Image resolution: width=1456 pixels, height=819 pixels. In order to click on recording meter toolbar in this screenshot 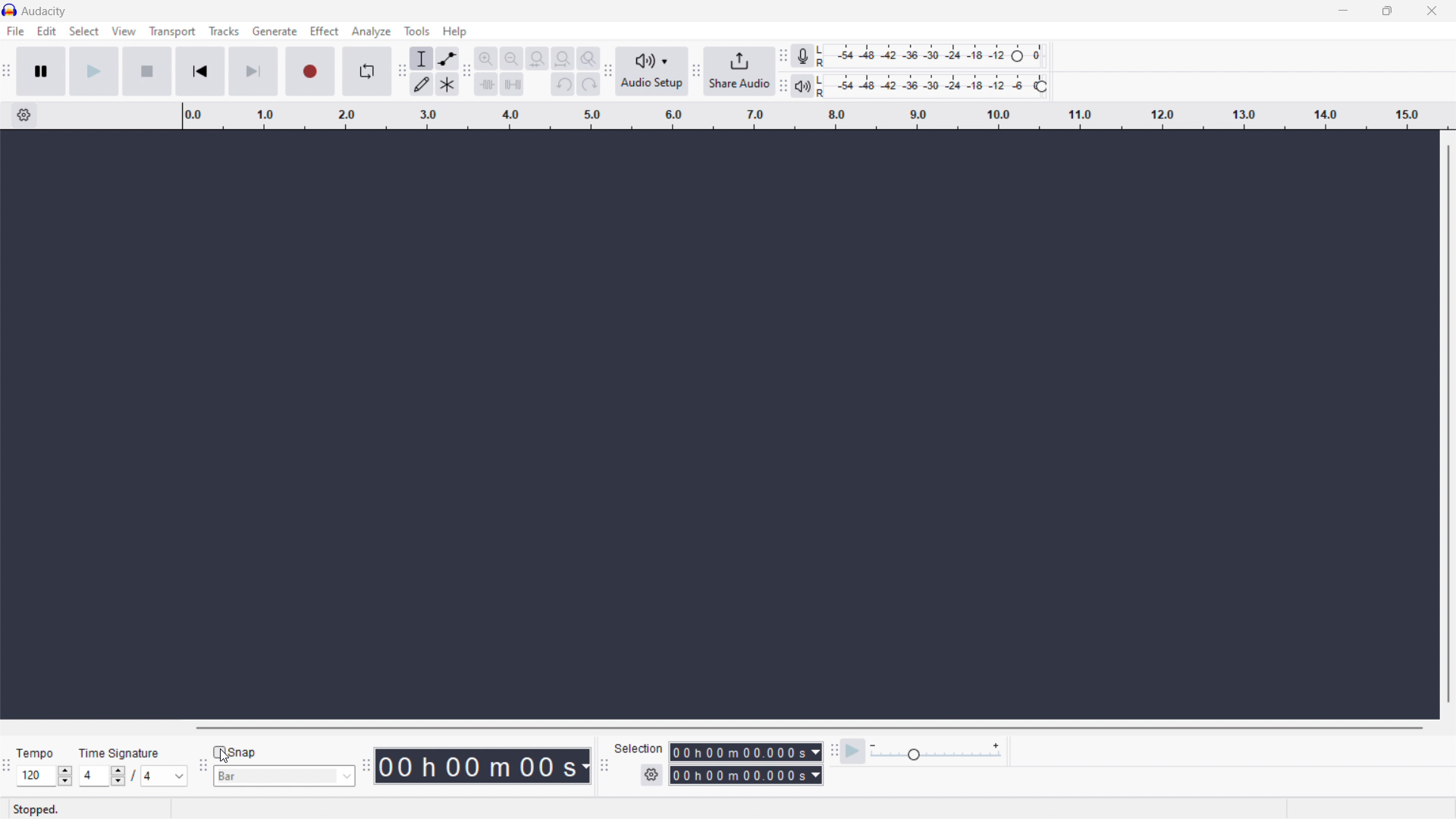, I will do `click(783, 55)`.